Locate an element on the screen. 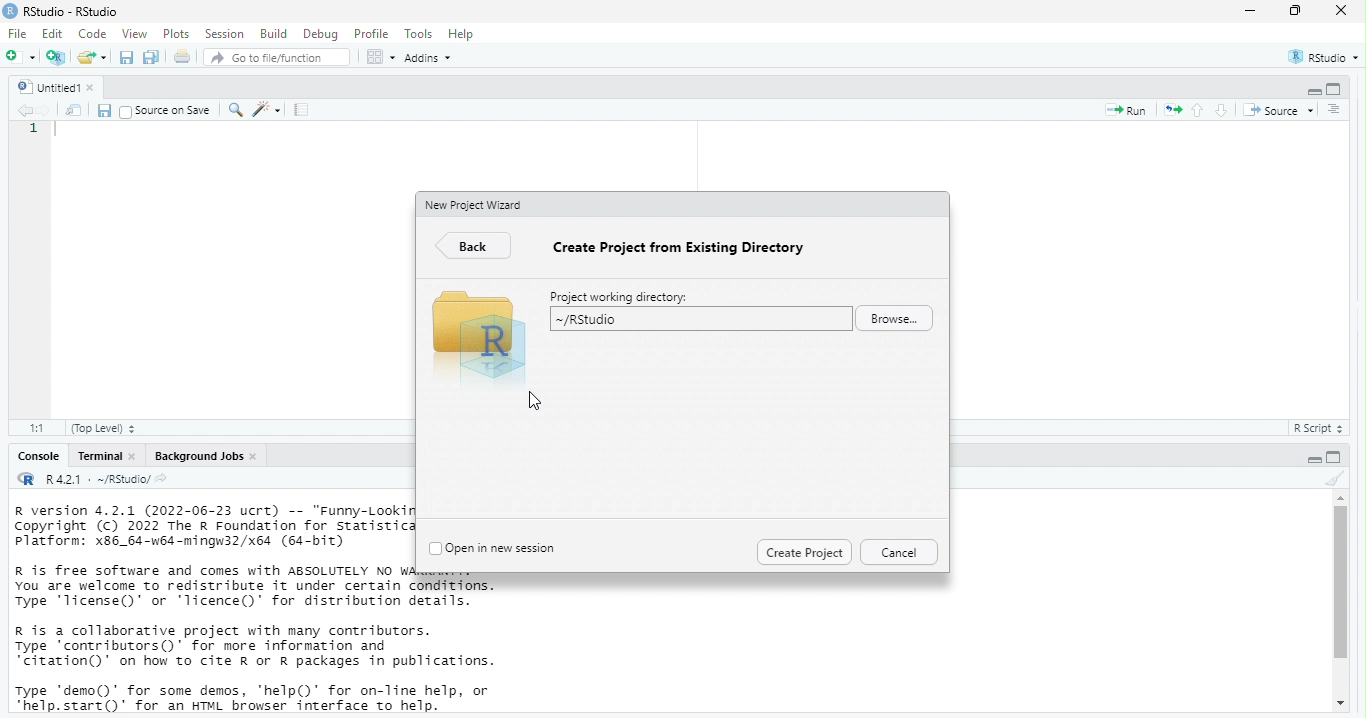 This screenshot has height=718, width=1366. clear console is located at coordinates (1339, 477).